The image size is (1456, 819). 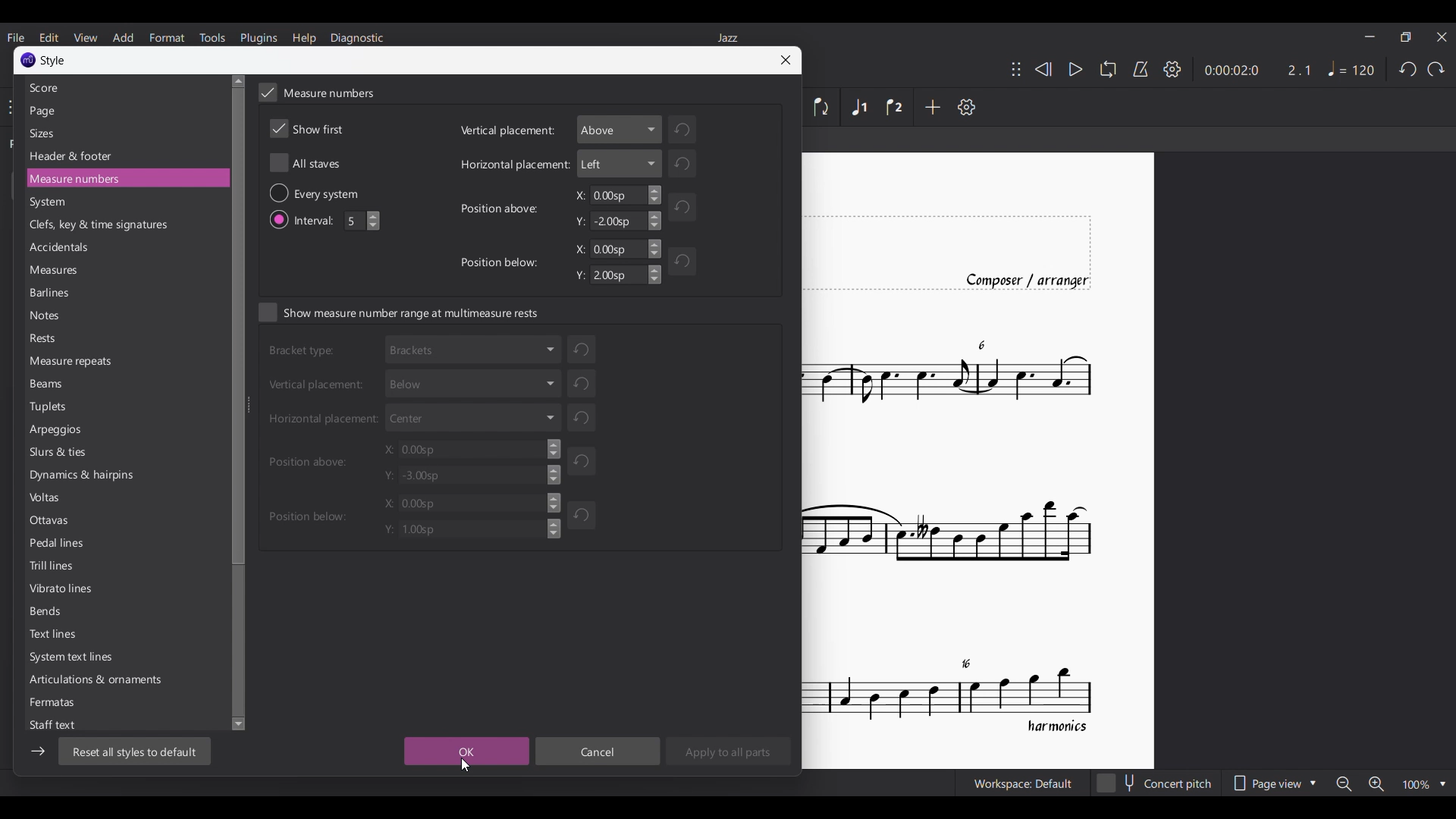 What do you see at coordinates (473, 348) in the screenshot?
I see `Brackets` at bounding box center [473, 348].